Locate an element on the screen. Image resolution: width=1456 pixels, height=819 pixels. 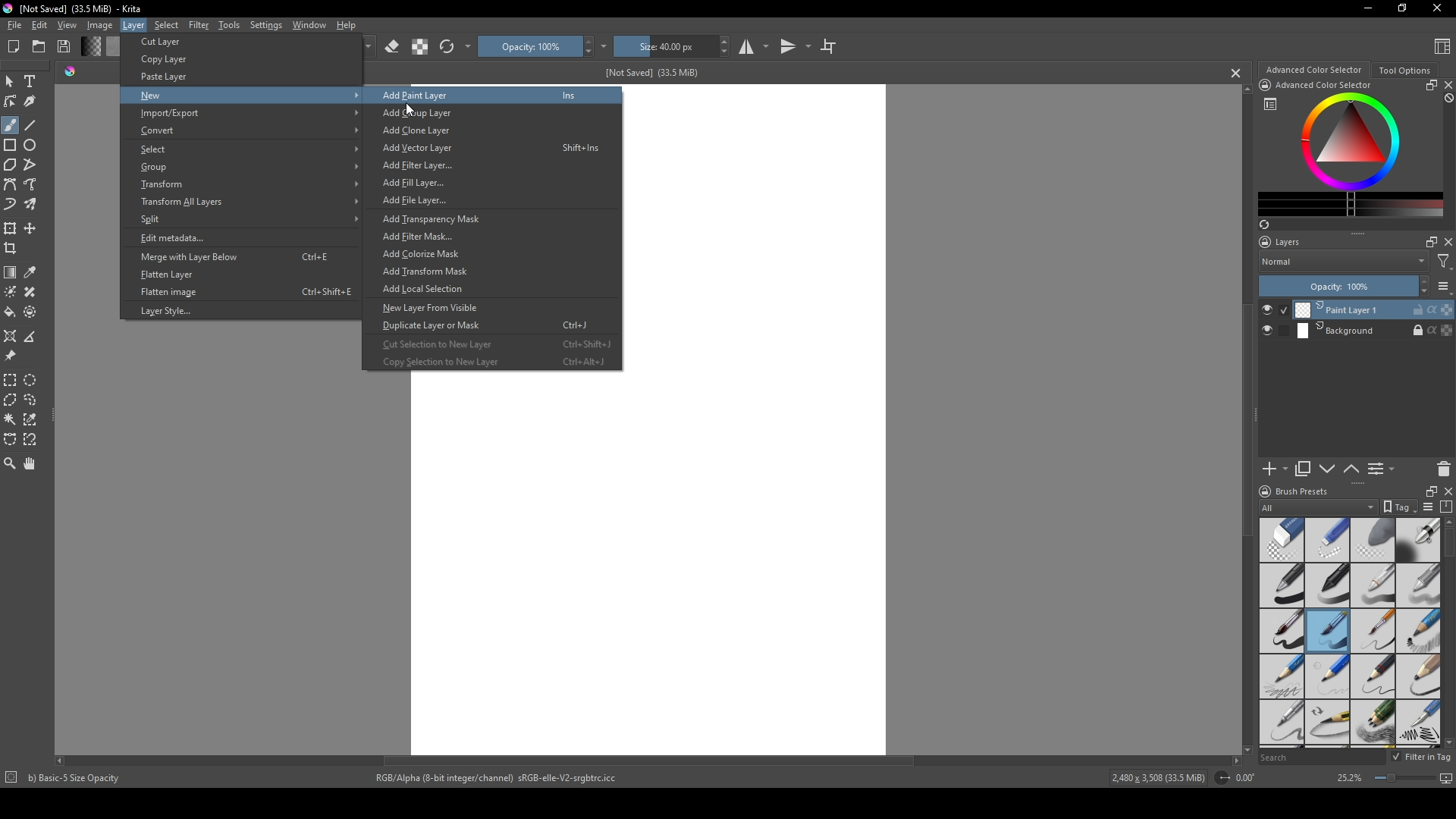
Layer is located at coordinates (133, 25).